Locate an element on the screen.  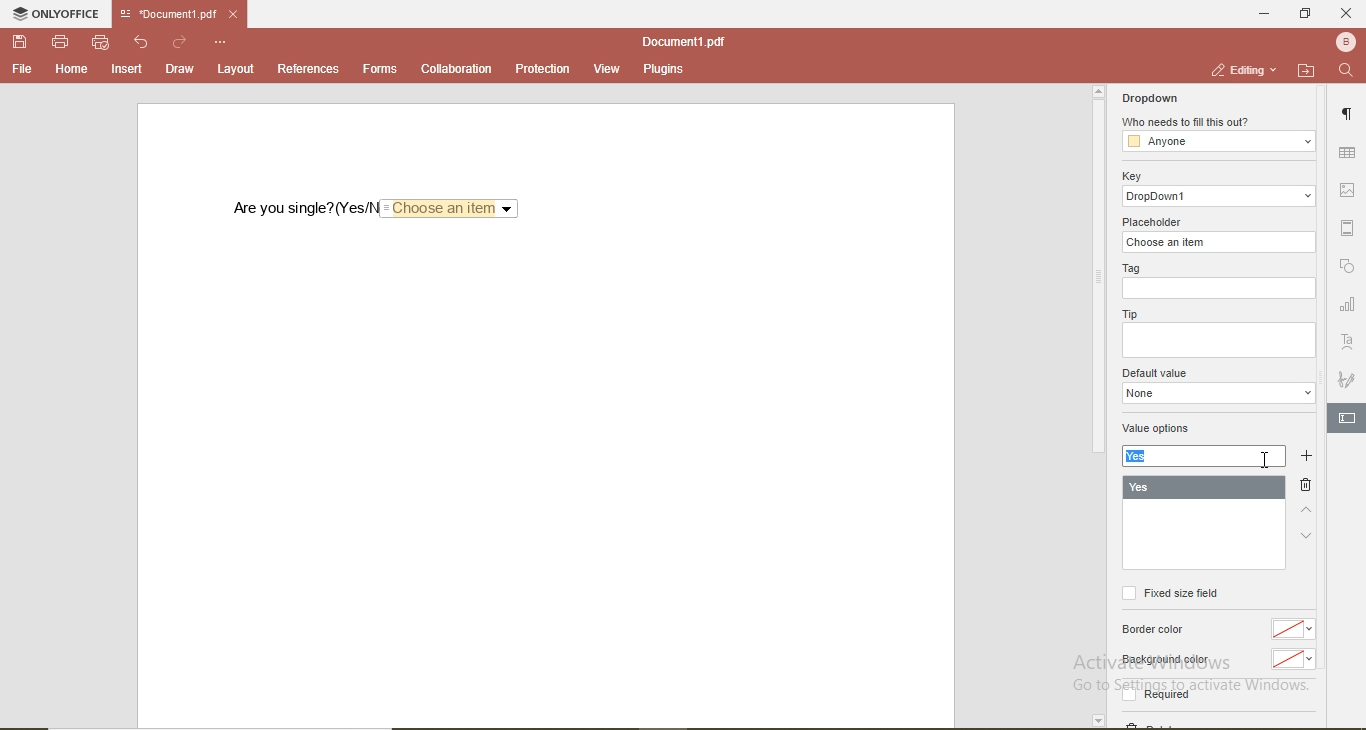
edit is located at coordinates (1346, 417).